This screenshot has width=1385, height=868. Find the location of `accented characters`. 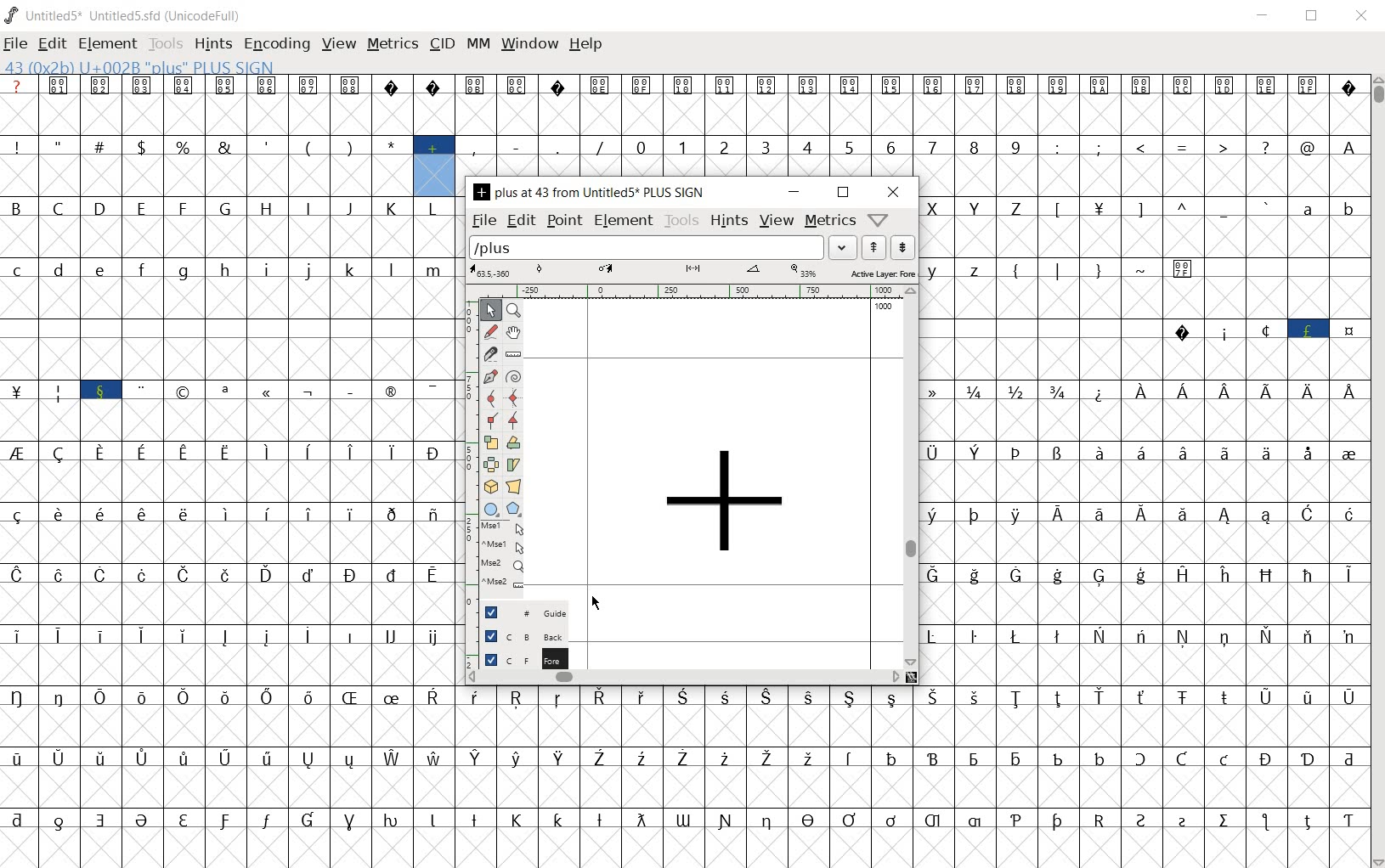

accented characters is located at coordinates (336, 717).